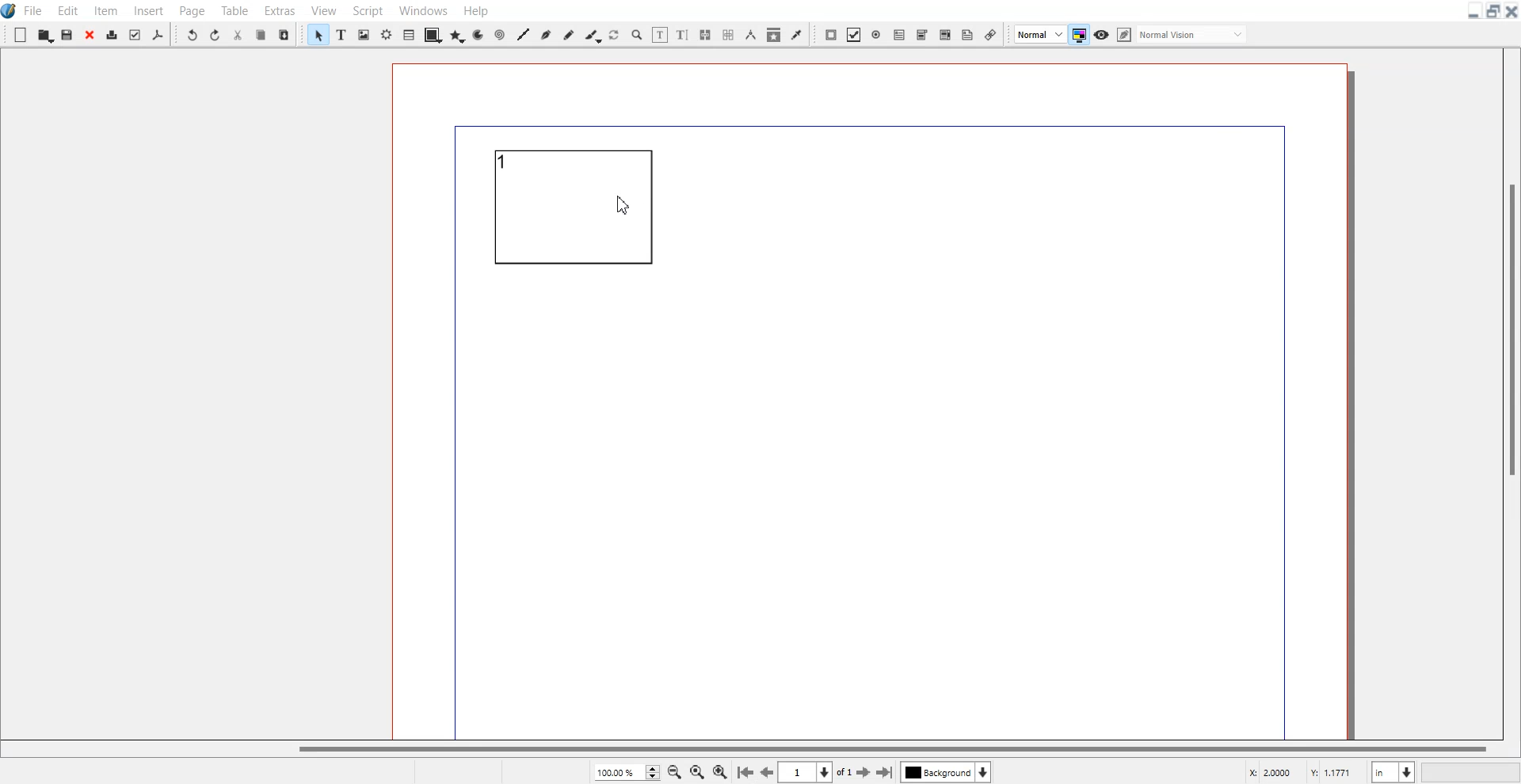 The height and width of the screenshot is (784, 1521). Describe the element at coordinates (135, 33) in the screenshot. I see `Preflight verifier` at that location.